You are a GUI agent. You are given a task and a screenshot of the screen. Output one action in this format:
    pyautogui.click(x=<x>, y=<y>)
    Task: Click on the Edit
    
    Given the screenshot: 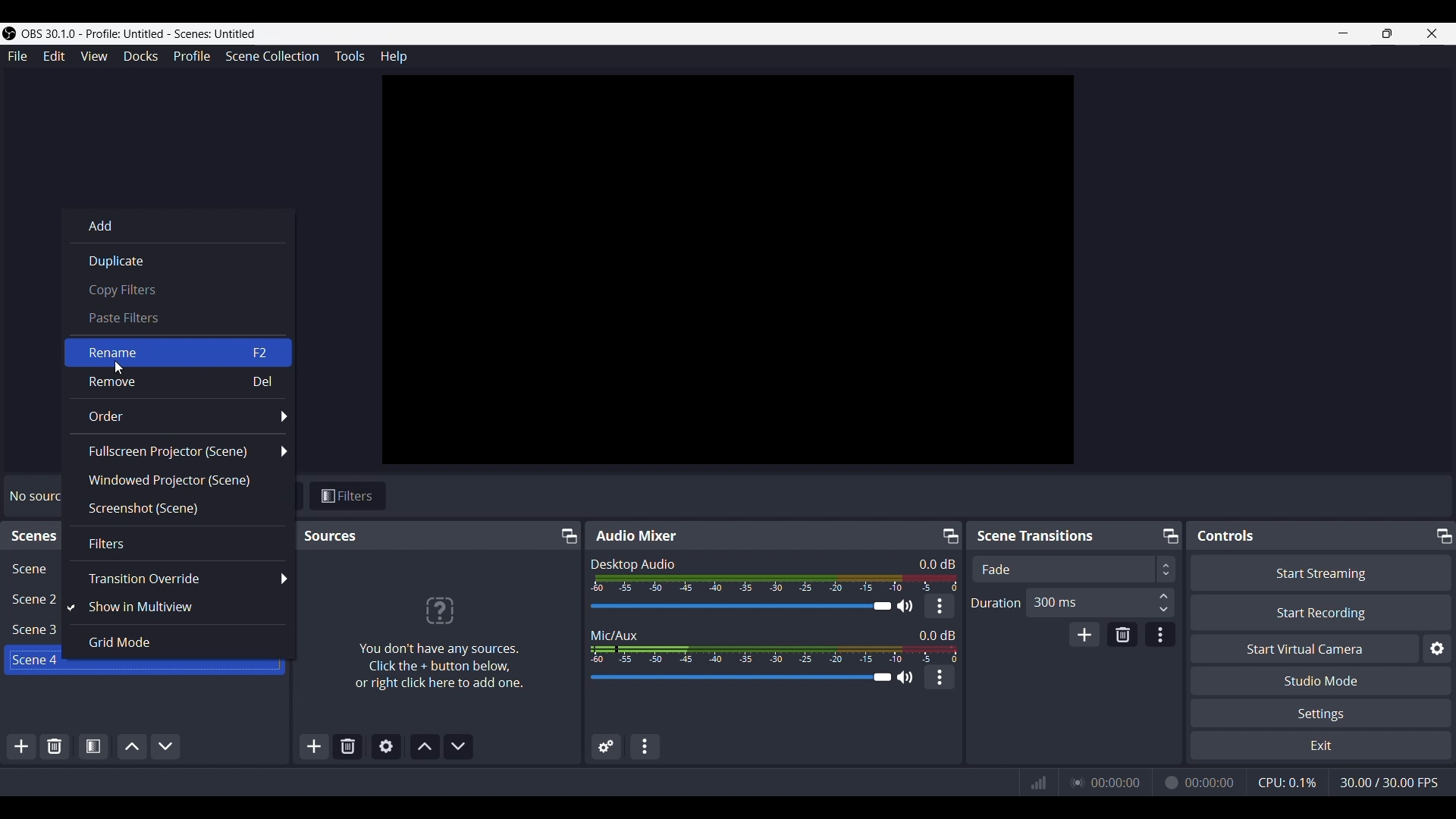 What is the action you would take?
    pyautogui.click(x=55, y=59)
    